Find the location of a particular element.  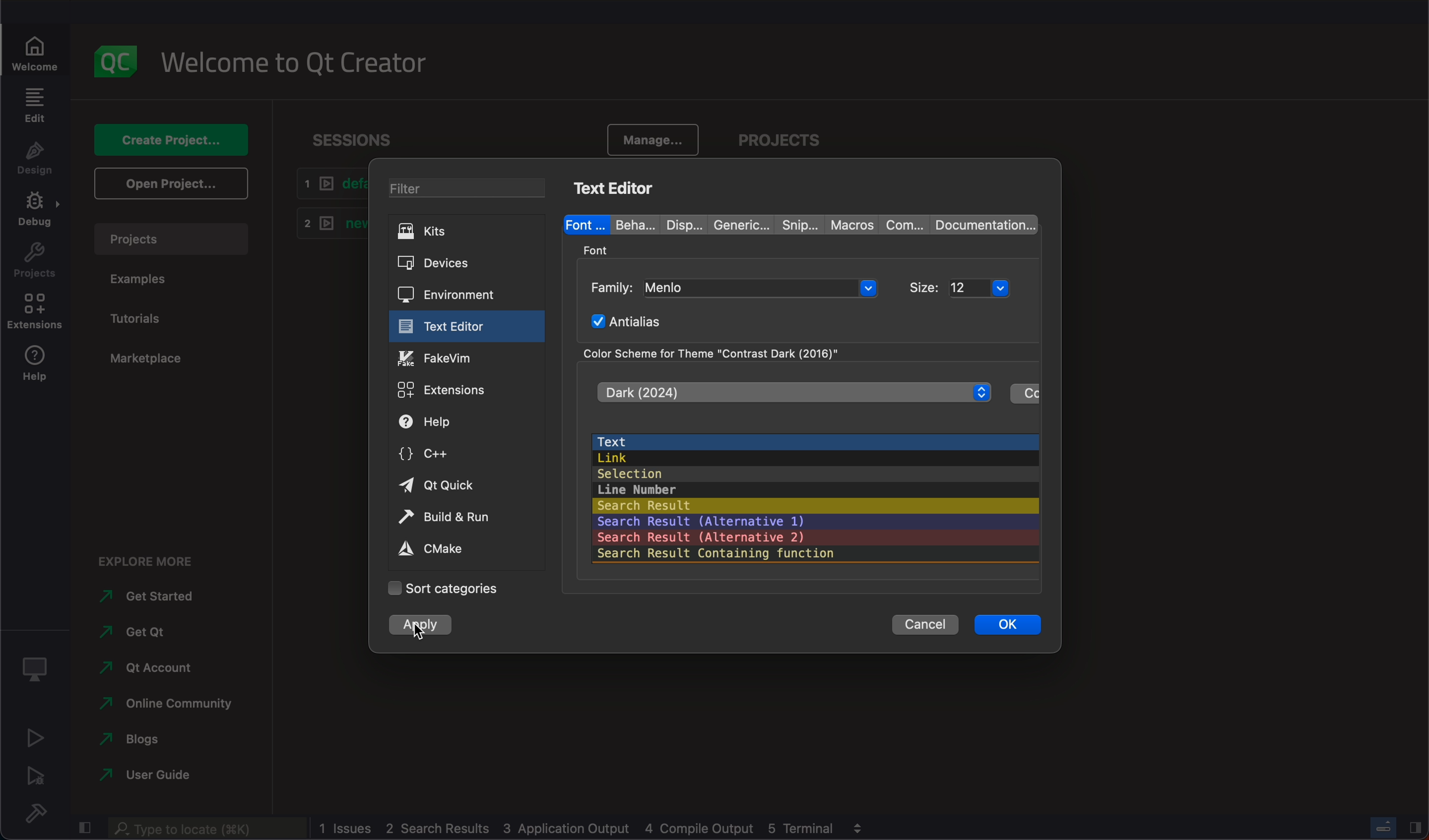

blogs is located at coordinates (130, 740).